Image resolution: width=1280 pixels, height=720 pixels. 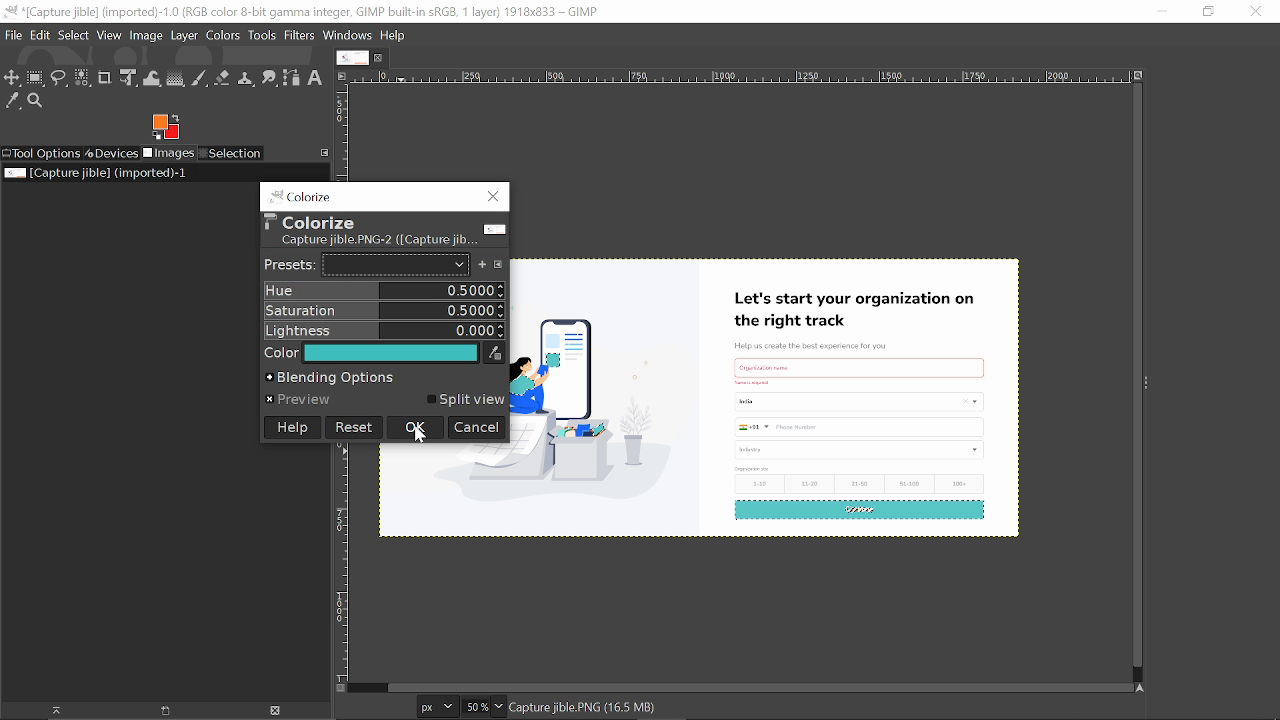 What do you see at coordinates (232, 153) in the screenshot?
I see `Selection` at bounding box center [232, 153].